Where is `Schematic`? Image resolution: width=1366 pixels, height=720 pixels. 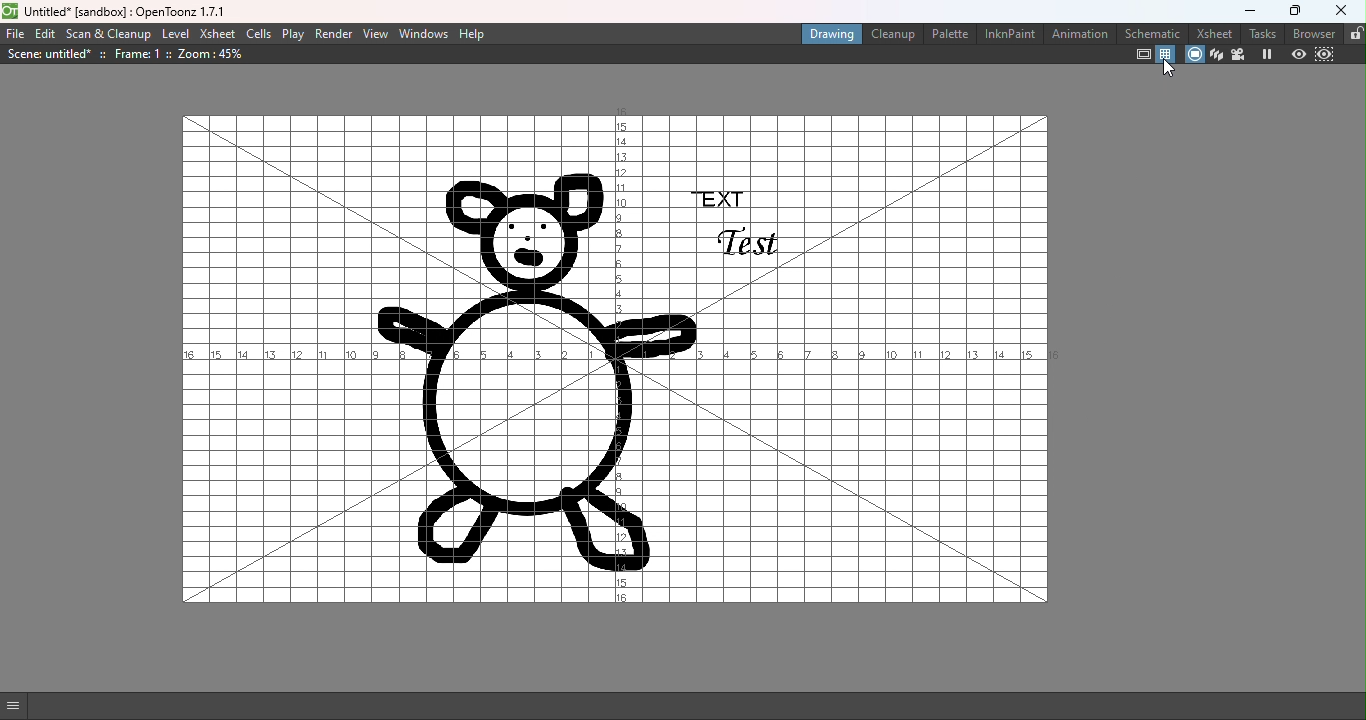 Schematic is located at coordinates (1152, 32).